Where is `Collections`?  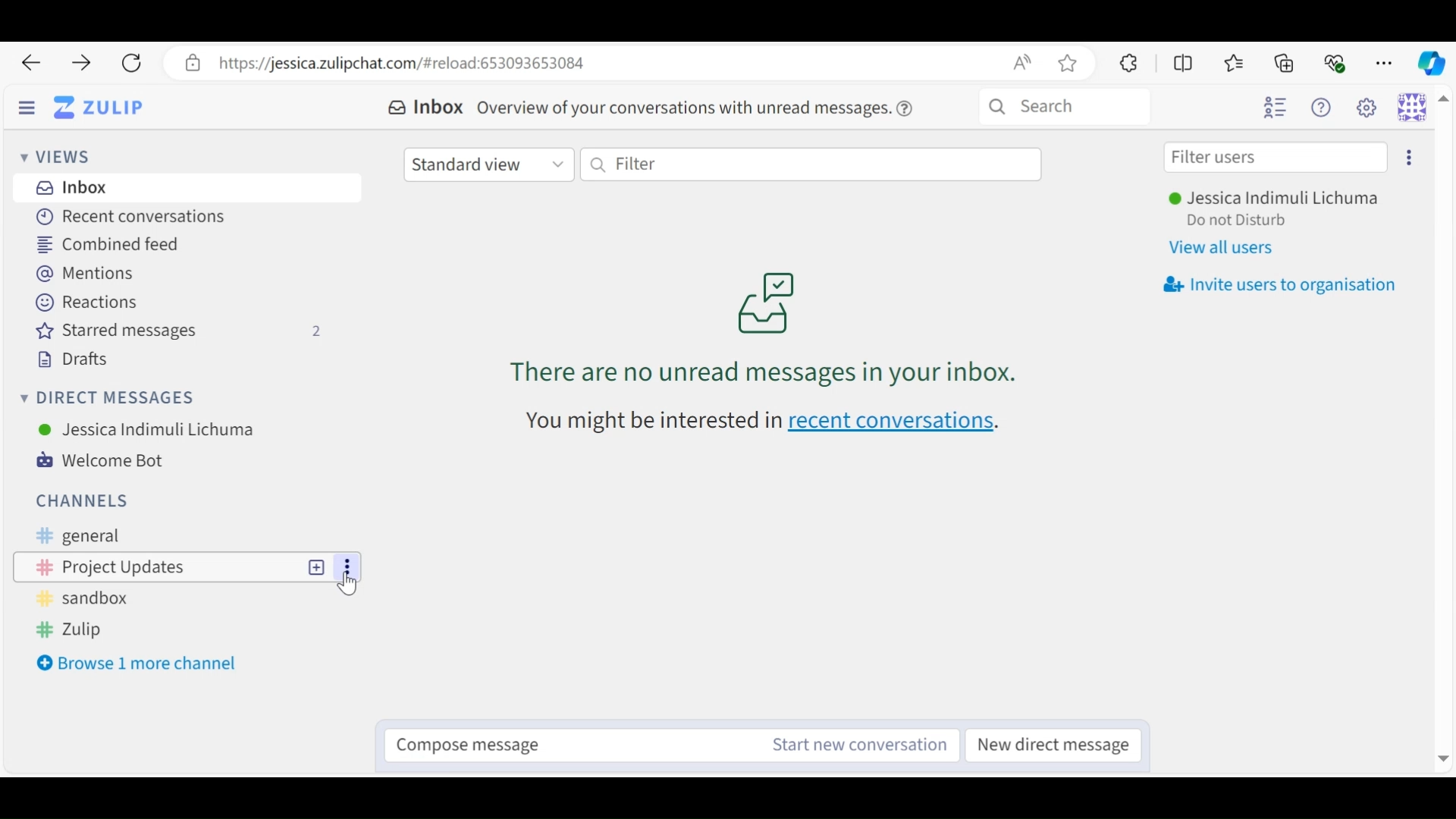 Collections is located at coordinates (1286, 62).